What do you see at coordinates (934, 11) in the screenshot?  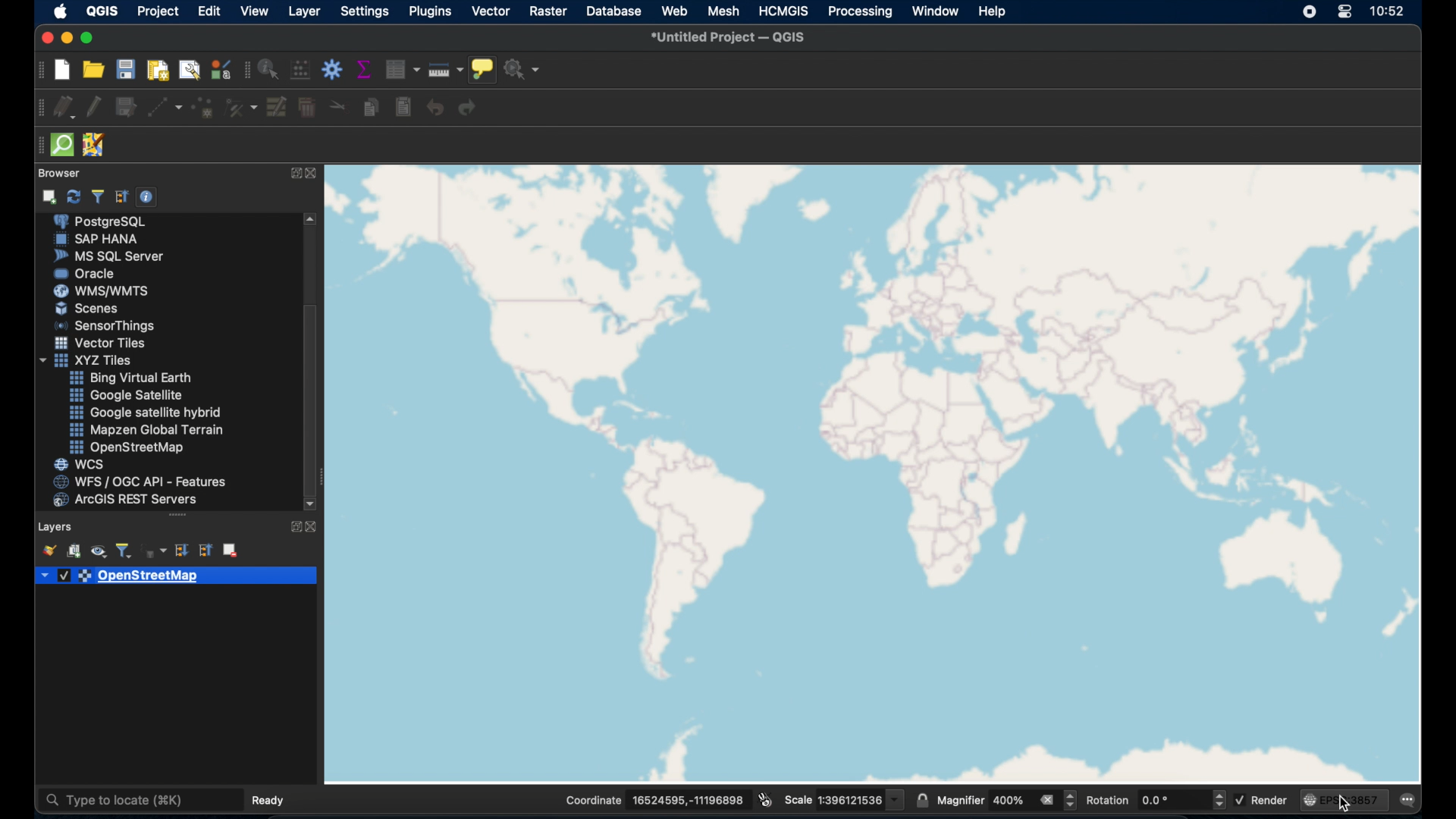 I see `window` at bounding box center [934, 11].